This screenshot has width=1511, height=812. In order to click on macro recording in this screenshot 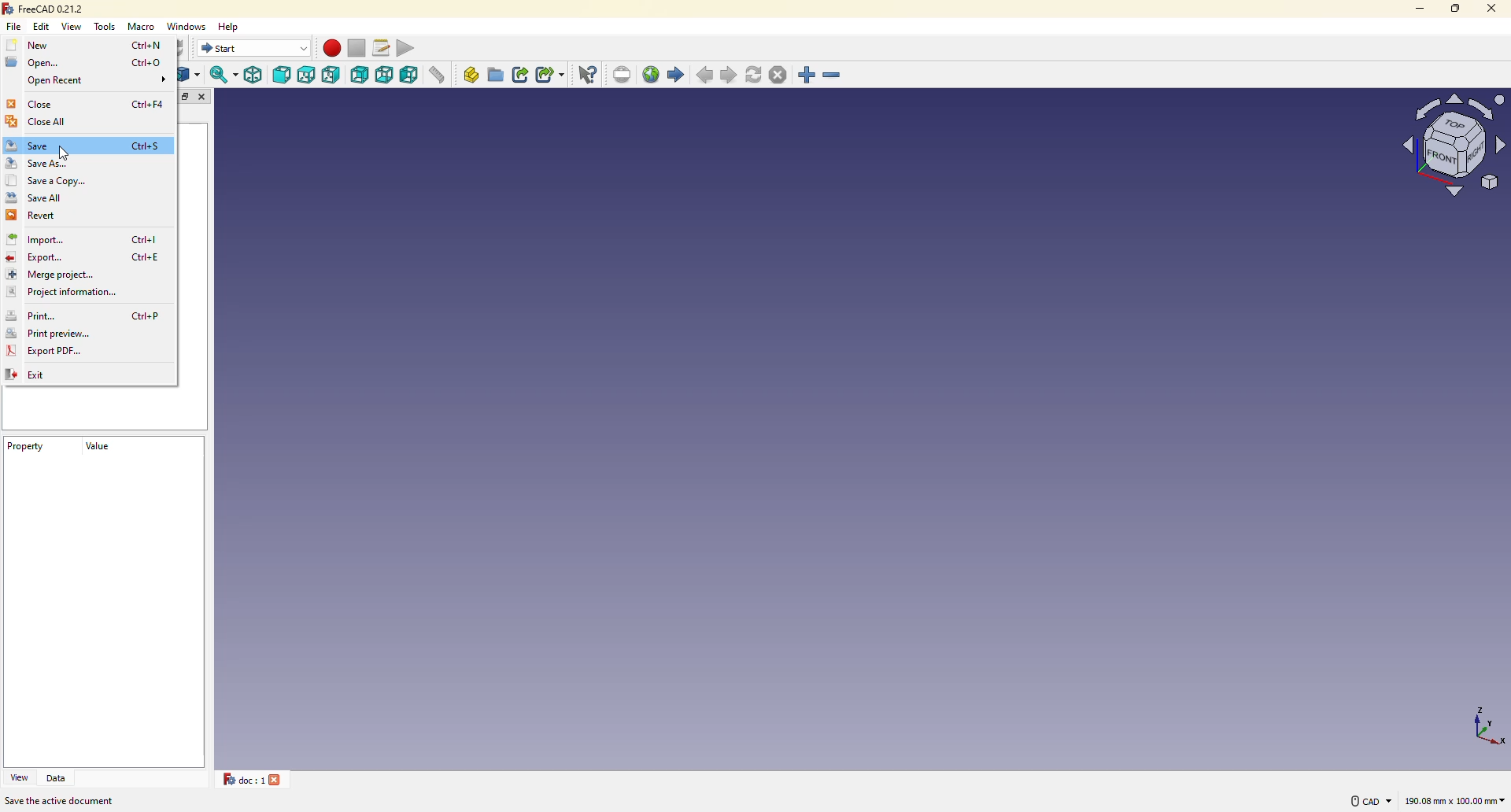, I will do `click(331, 48)`.